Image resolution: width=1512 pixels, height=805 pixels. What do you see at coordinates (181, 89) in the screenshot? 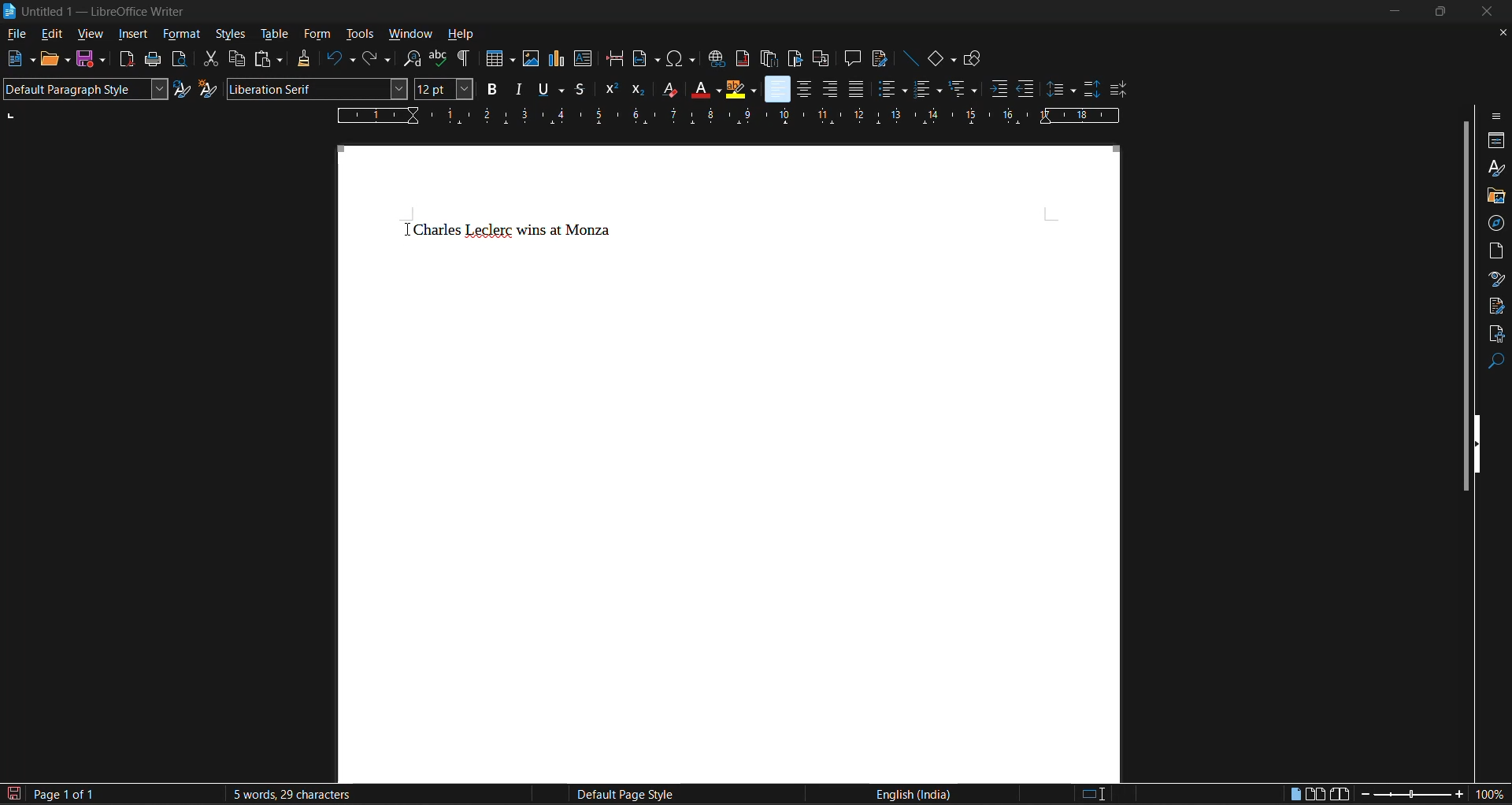
I see `updated selected style` at bounding box center [181, 89].